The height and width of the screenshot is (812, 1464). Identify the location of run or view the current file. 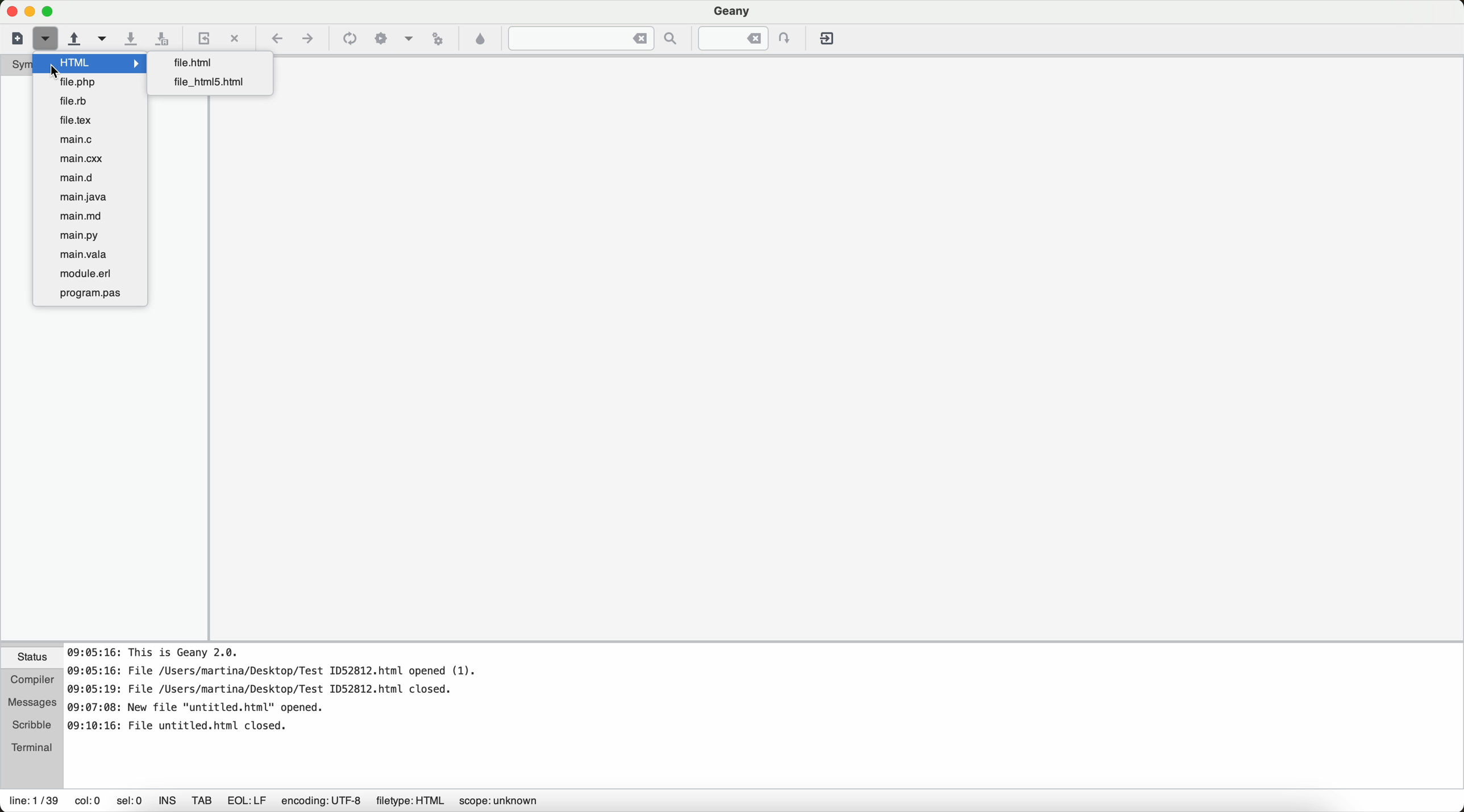
(439, 39).